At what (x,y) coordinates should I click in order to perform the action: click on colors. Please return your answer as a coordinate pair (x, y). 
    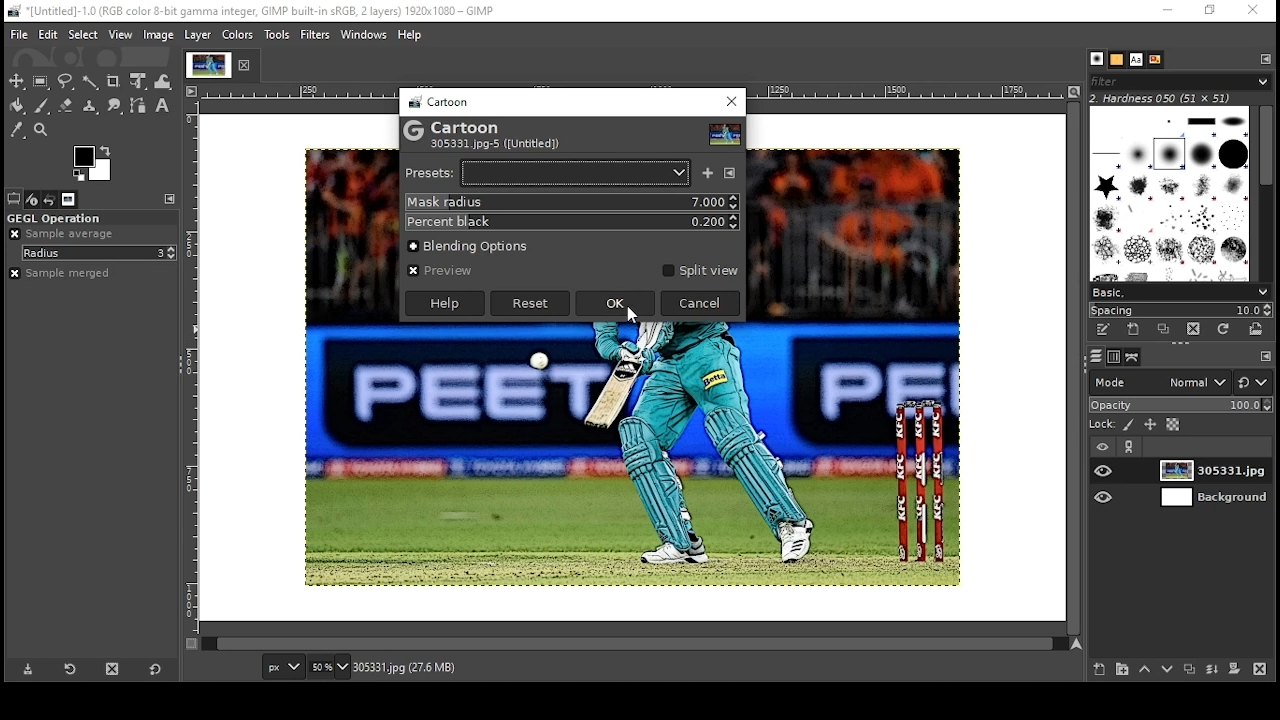
    Looking at the image, I should click on (240, 35).